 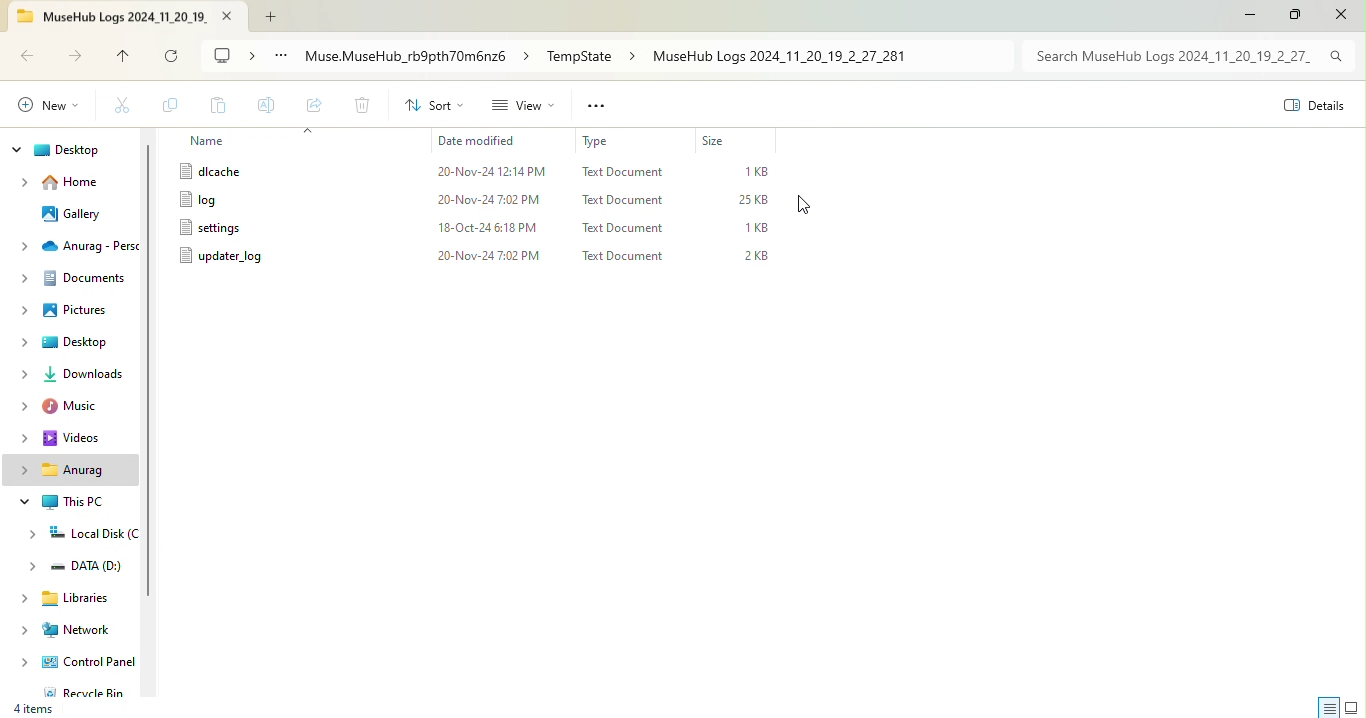 I want to click on Recycle bin, so click(x=78, y=690).